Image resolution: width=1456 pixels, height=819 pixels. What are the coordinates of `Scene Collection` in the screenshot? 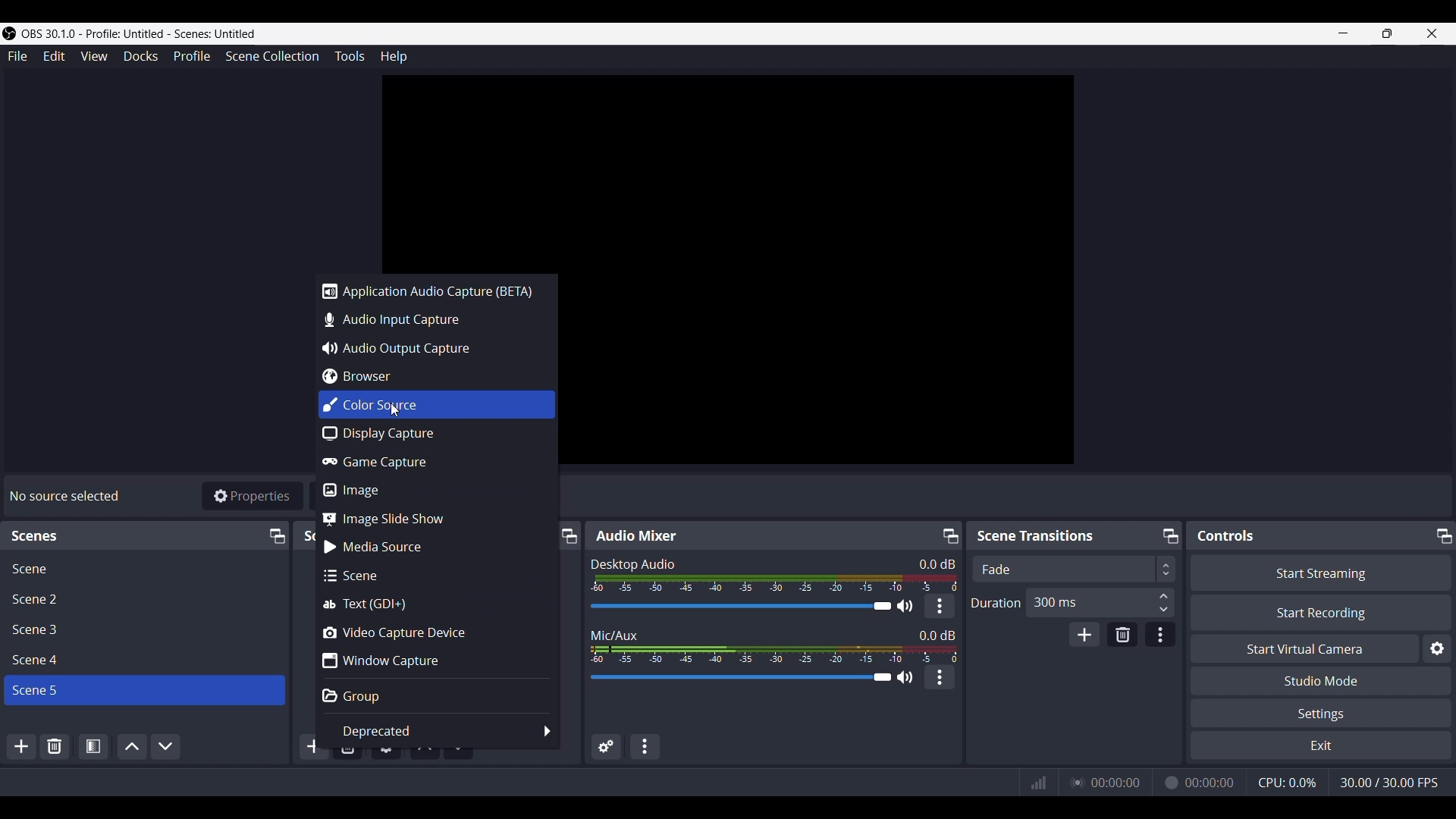 It's located at (273, 57).